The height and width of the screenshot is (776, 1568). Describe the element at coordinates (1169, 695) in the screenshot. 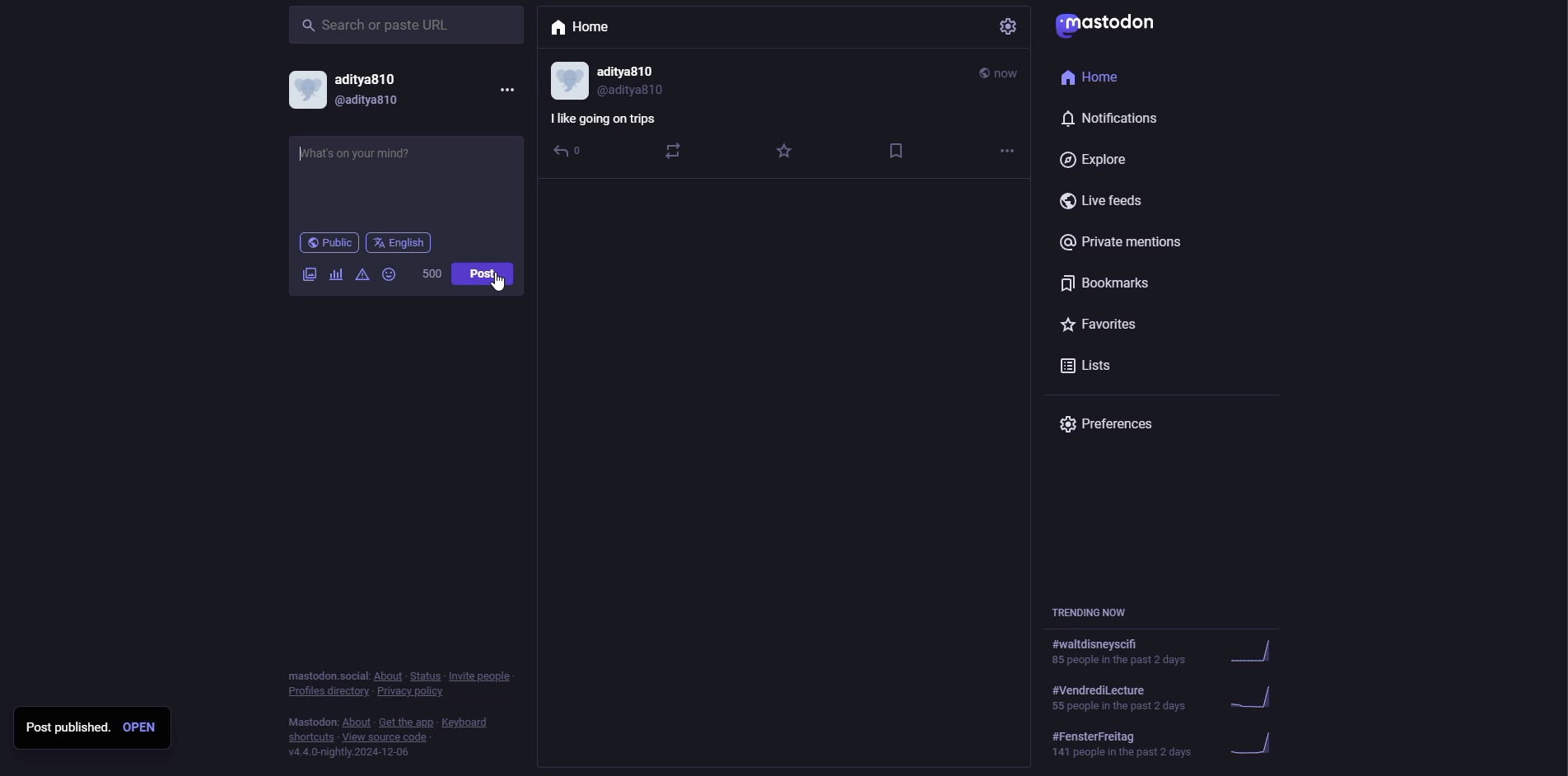

I see `trending now` at that location.